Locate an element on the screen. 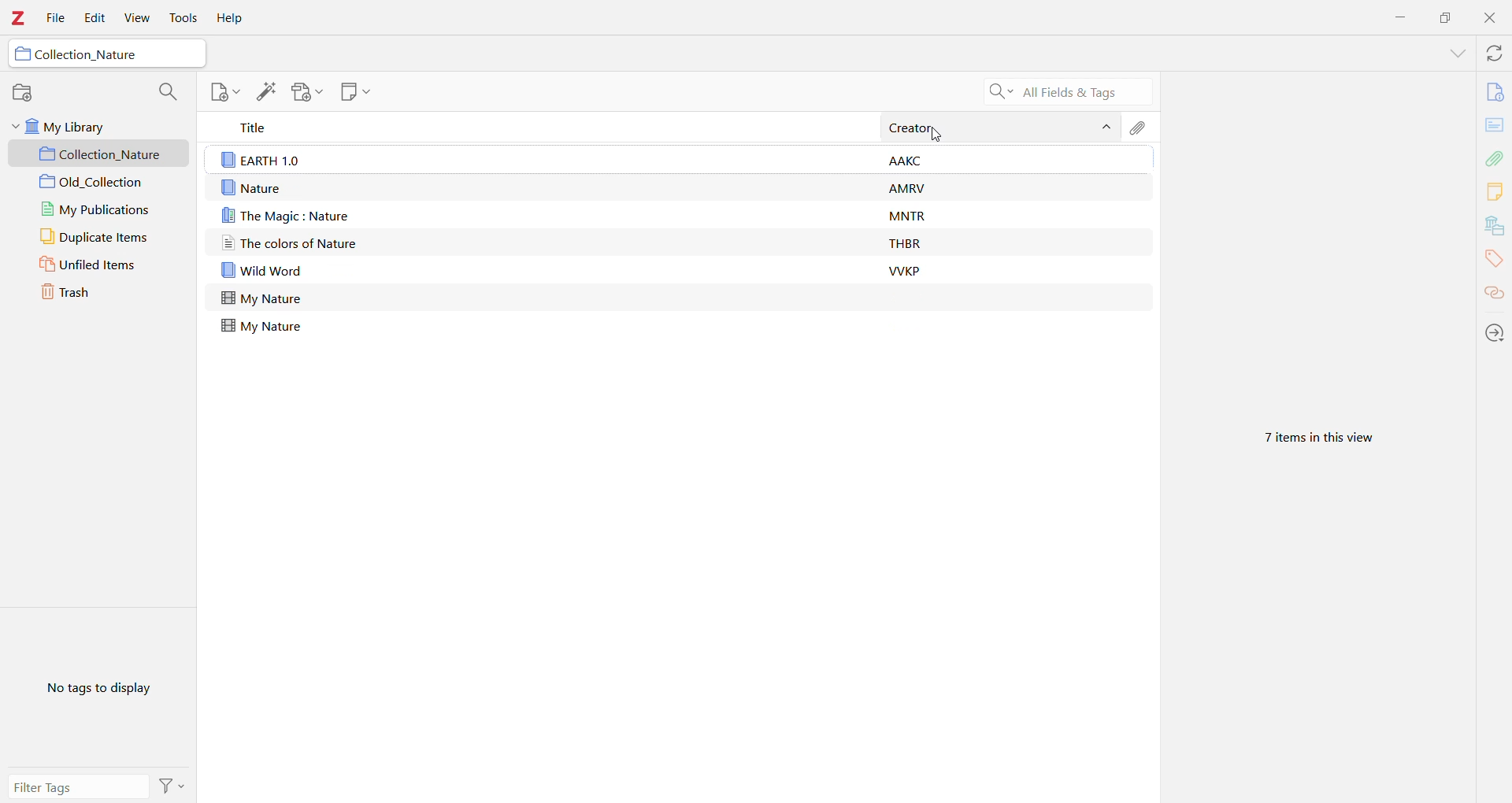  Creator information is located at coordinates (906, 163).